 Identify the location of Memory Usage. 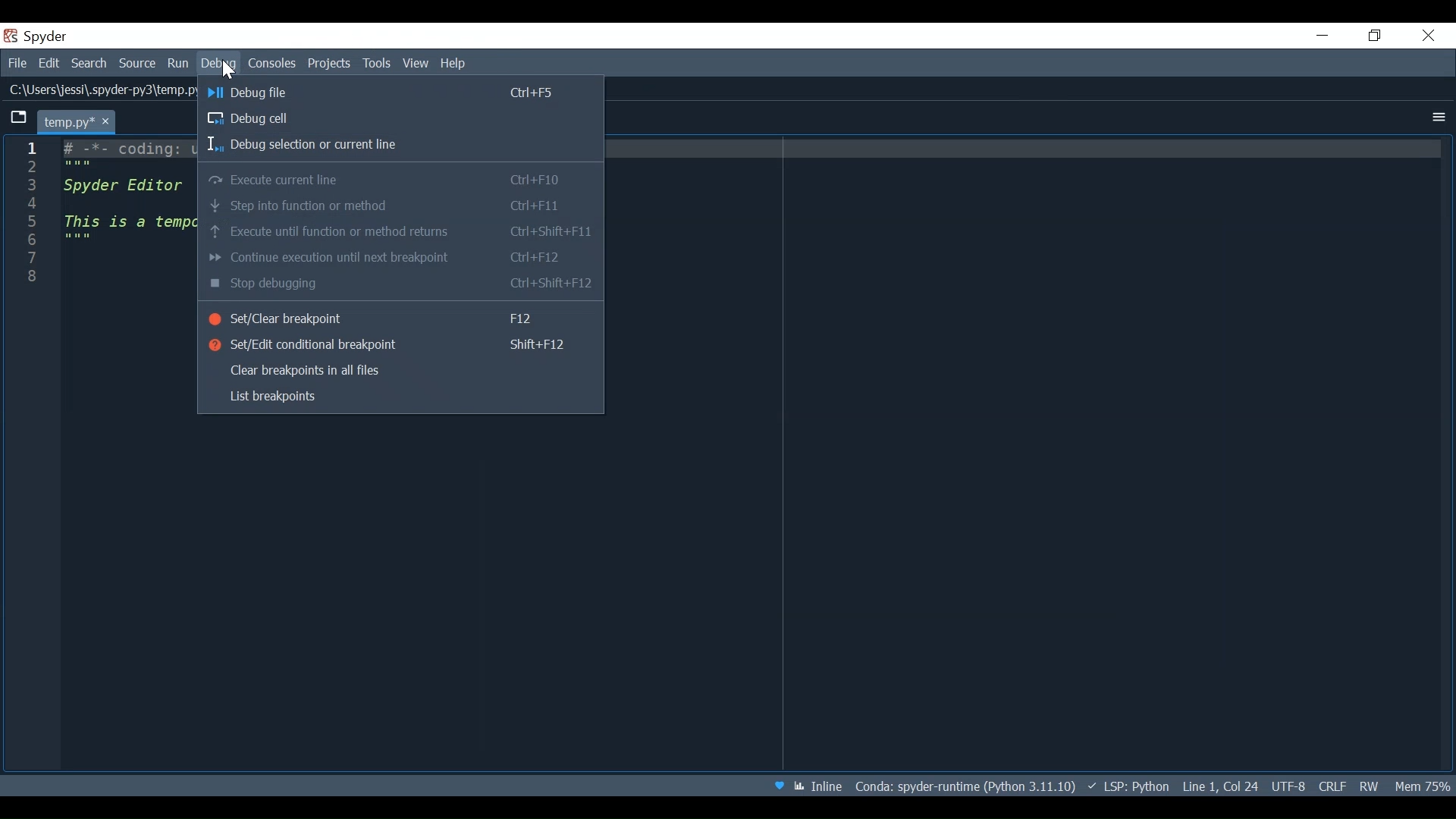
(1423, 786).